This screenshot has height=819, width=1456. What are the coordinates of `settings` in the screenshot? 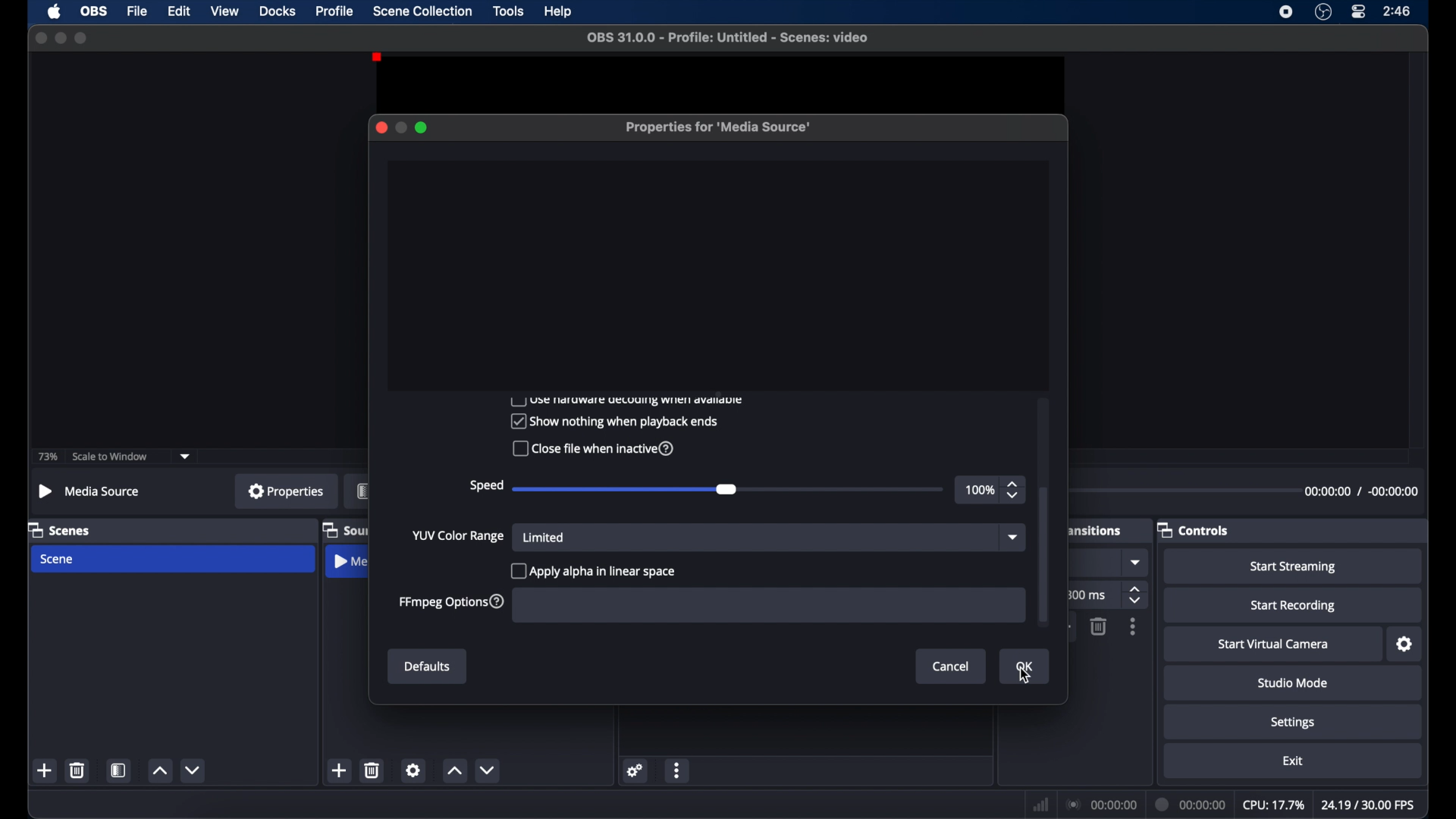 It's located at (635, 770).